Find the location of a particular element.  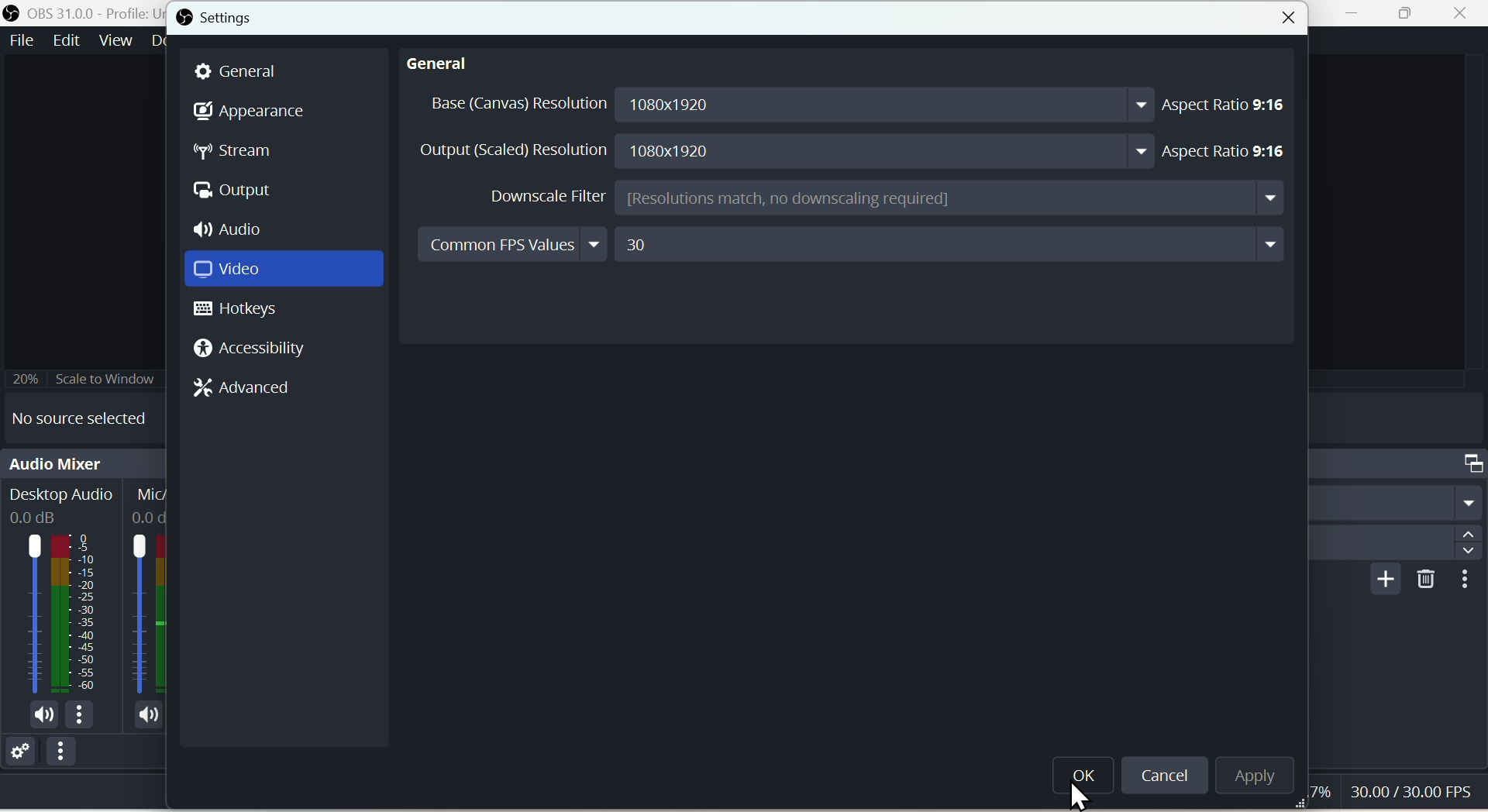

Appearance is located at coordinates (250, 109).